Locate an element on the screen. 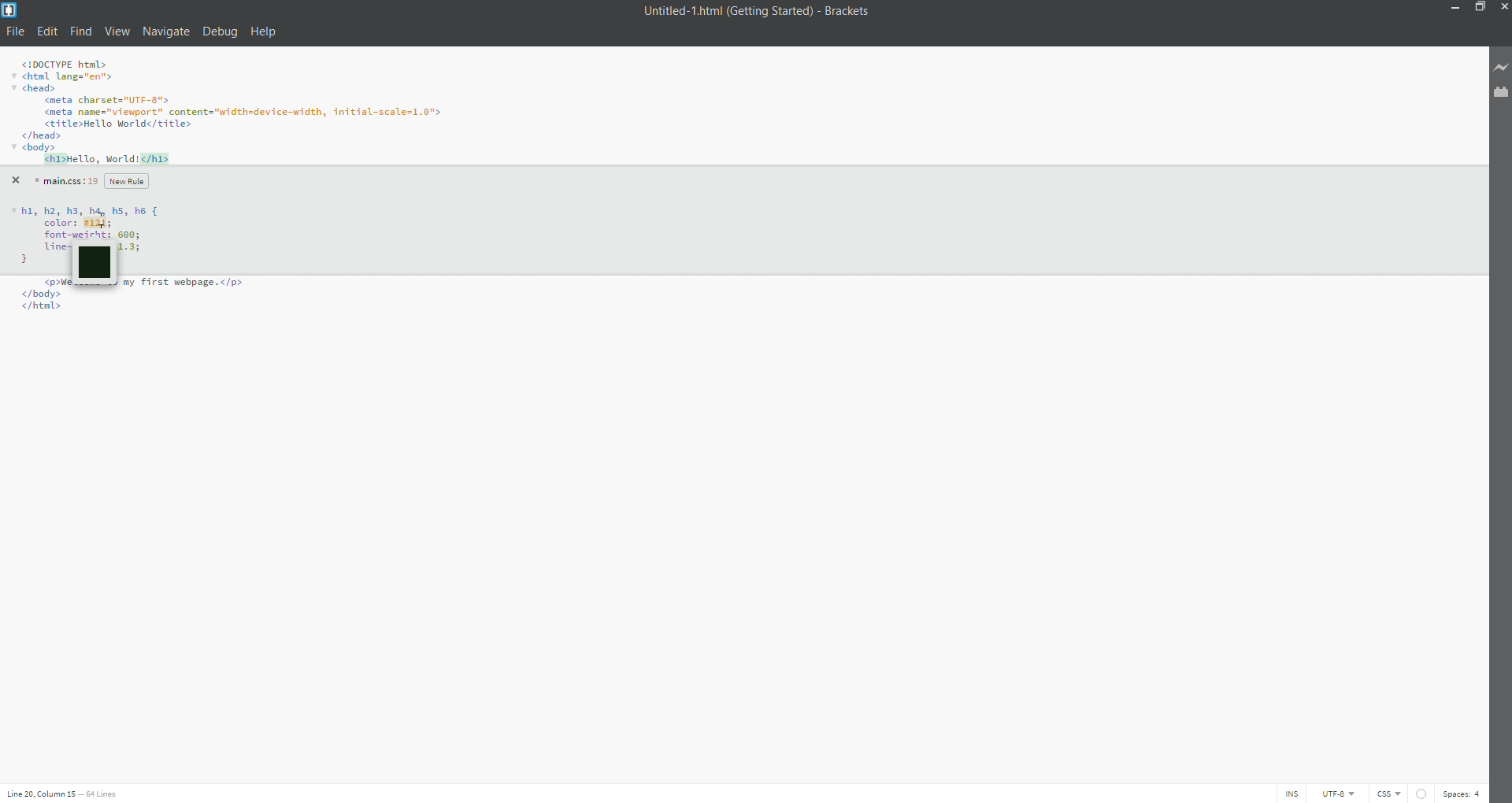  edit is located at coordinates (49, 31).